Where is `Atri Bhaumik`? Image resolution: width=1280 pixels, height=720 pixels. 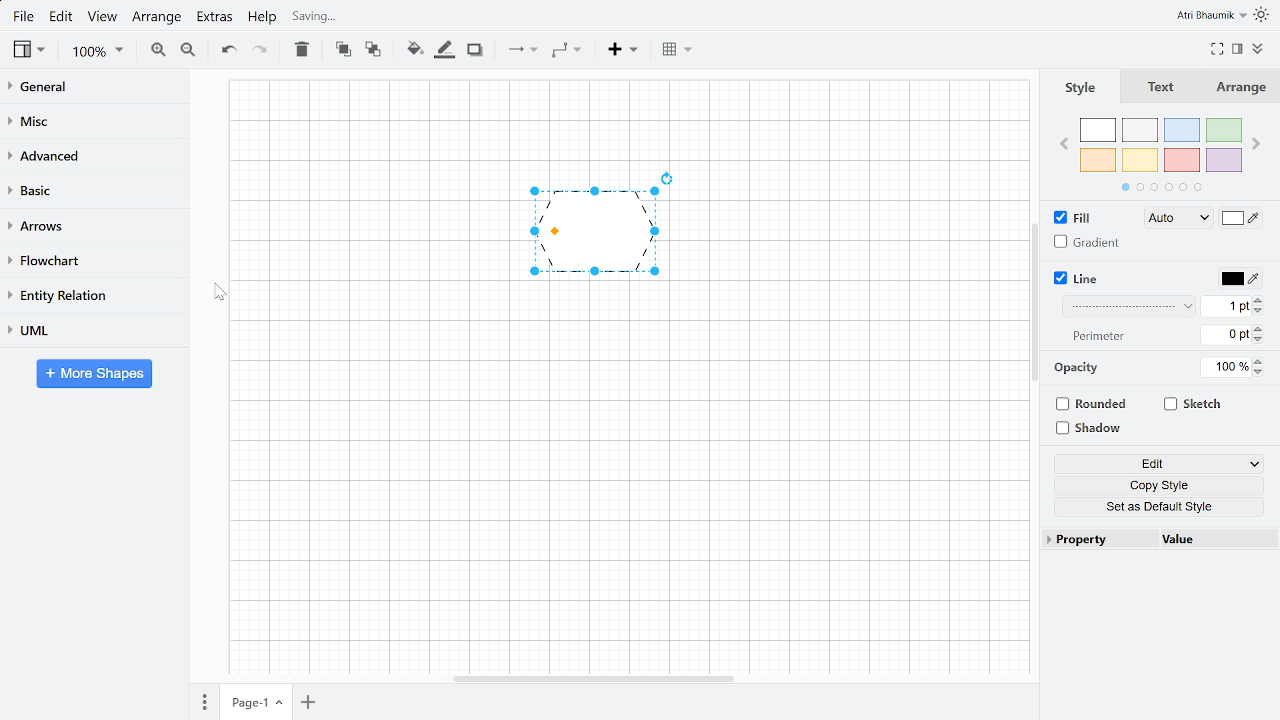 Atri Bhaumik is located at coordinates (1212, 15).